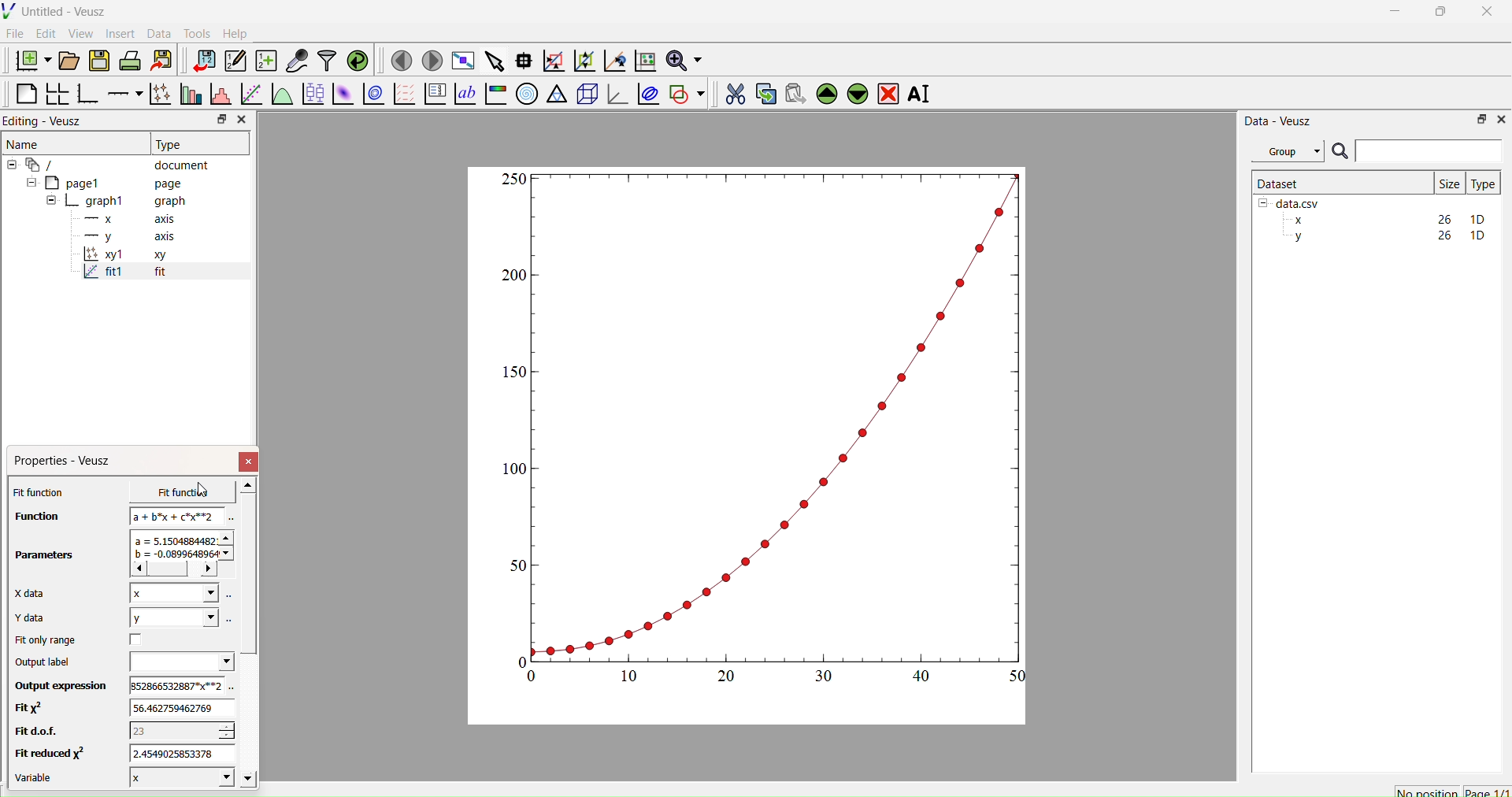 The width and height of the screenshot is (1512, 797). I want to click on Copy, so click(762, 92).